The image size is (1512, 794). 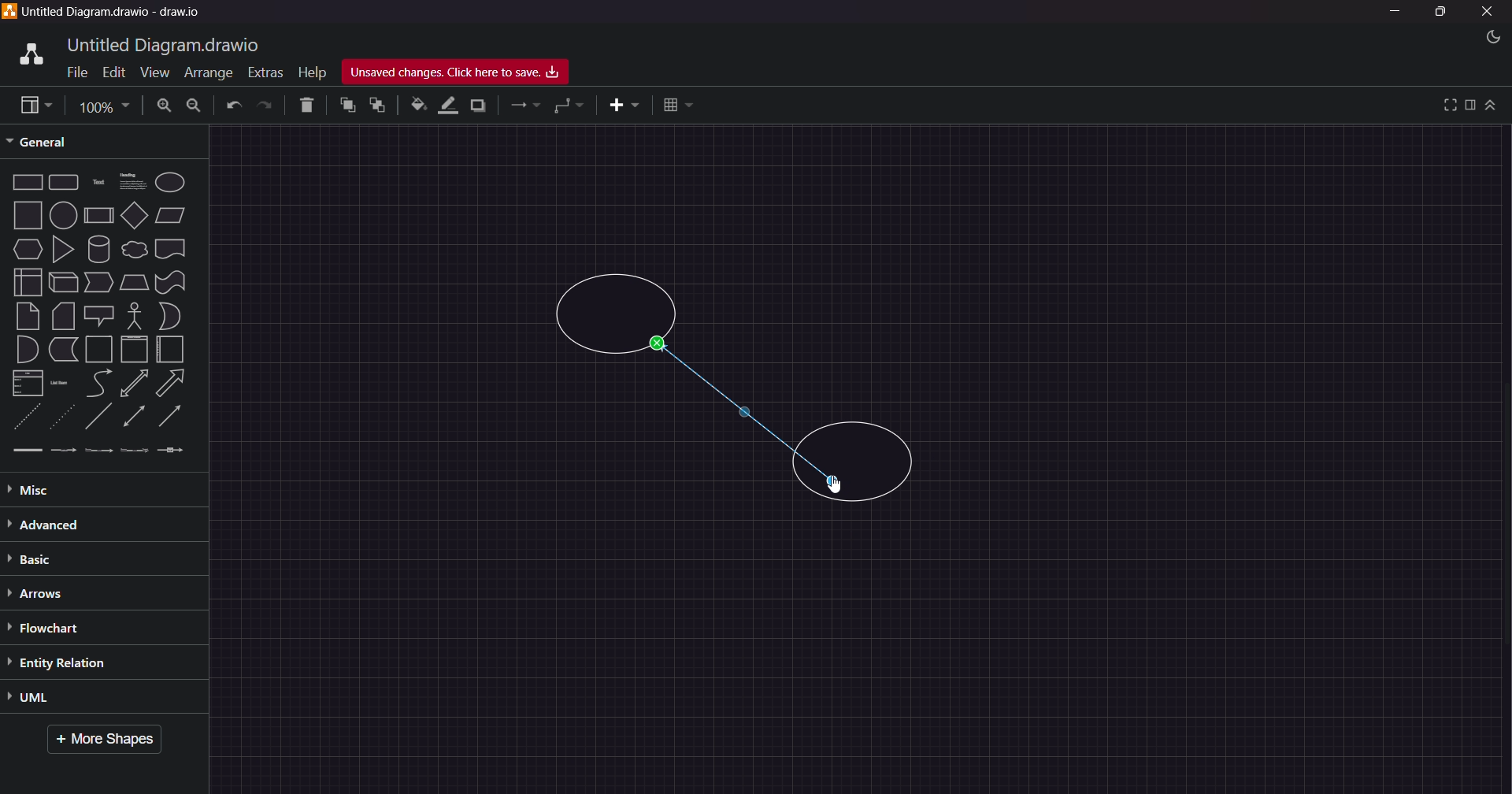 What do you see at coordinates (78, 662) in the screenshot?
I see `Entity Relation` at bounding box center [78, 662].